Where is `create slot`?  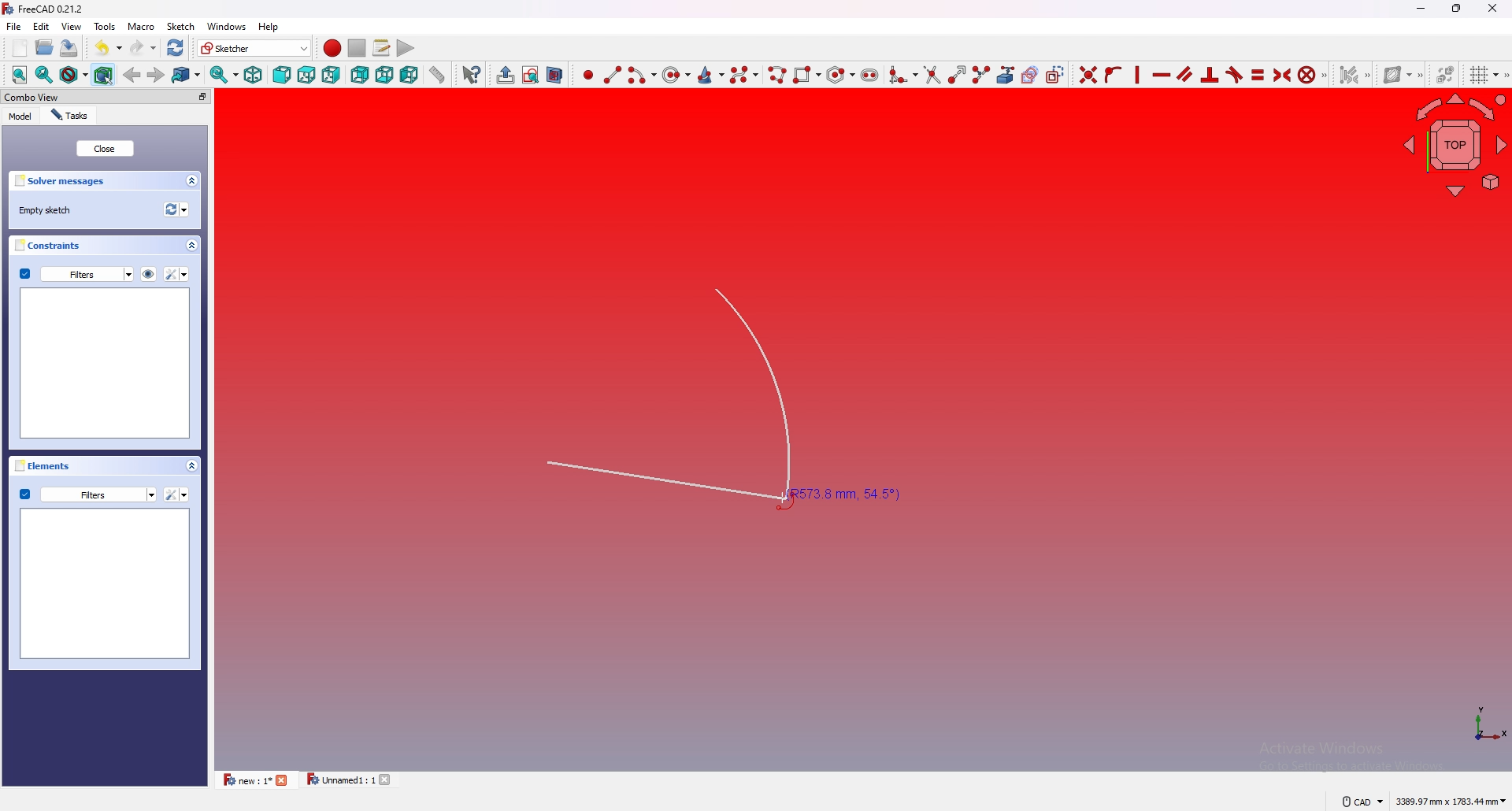 create slot is located at coordinates (870, 75).